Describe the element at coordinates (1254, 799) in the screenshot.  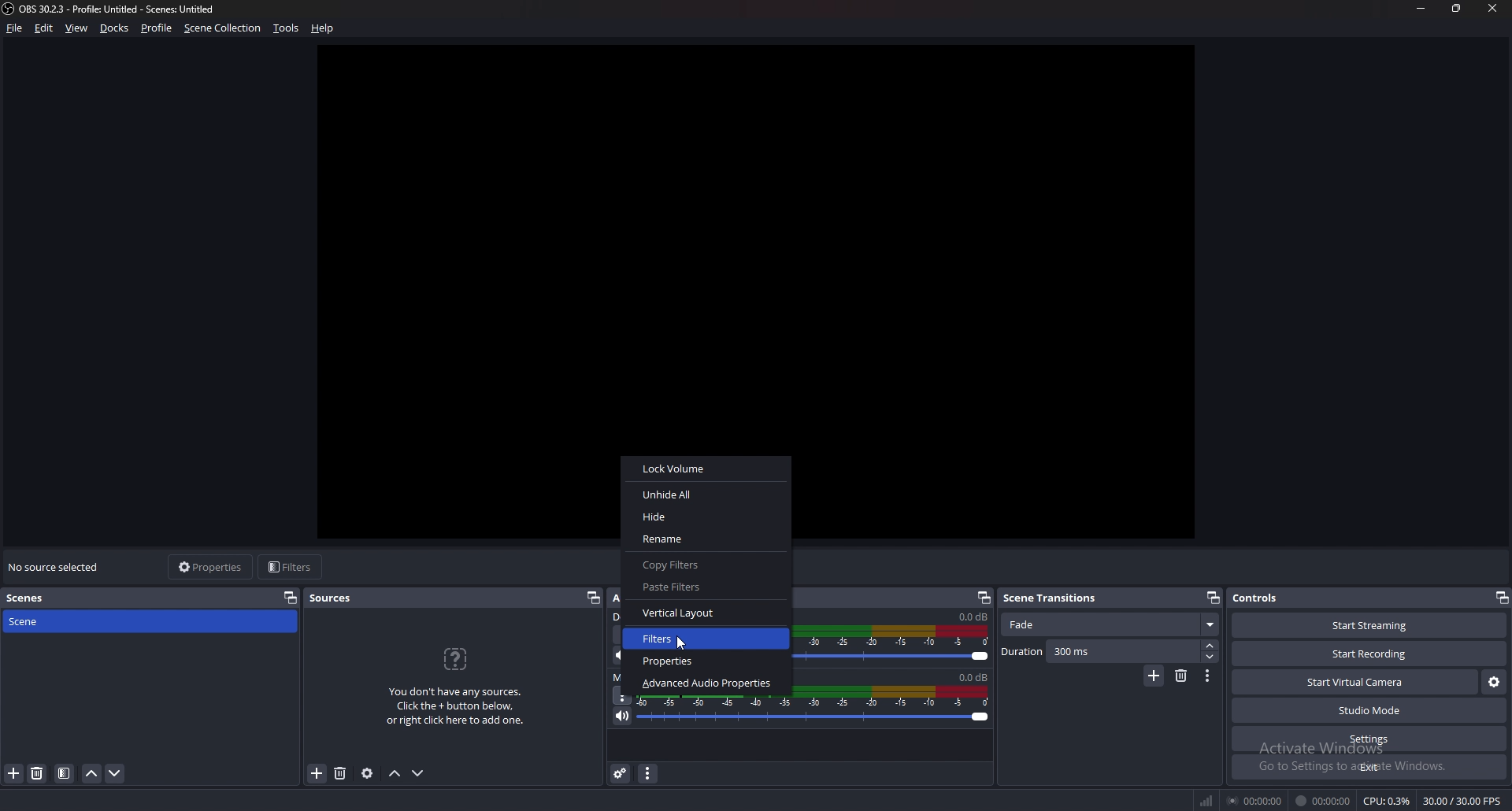
I see `00:00:00` at that location.